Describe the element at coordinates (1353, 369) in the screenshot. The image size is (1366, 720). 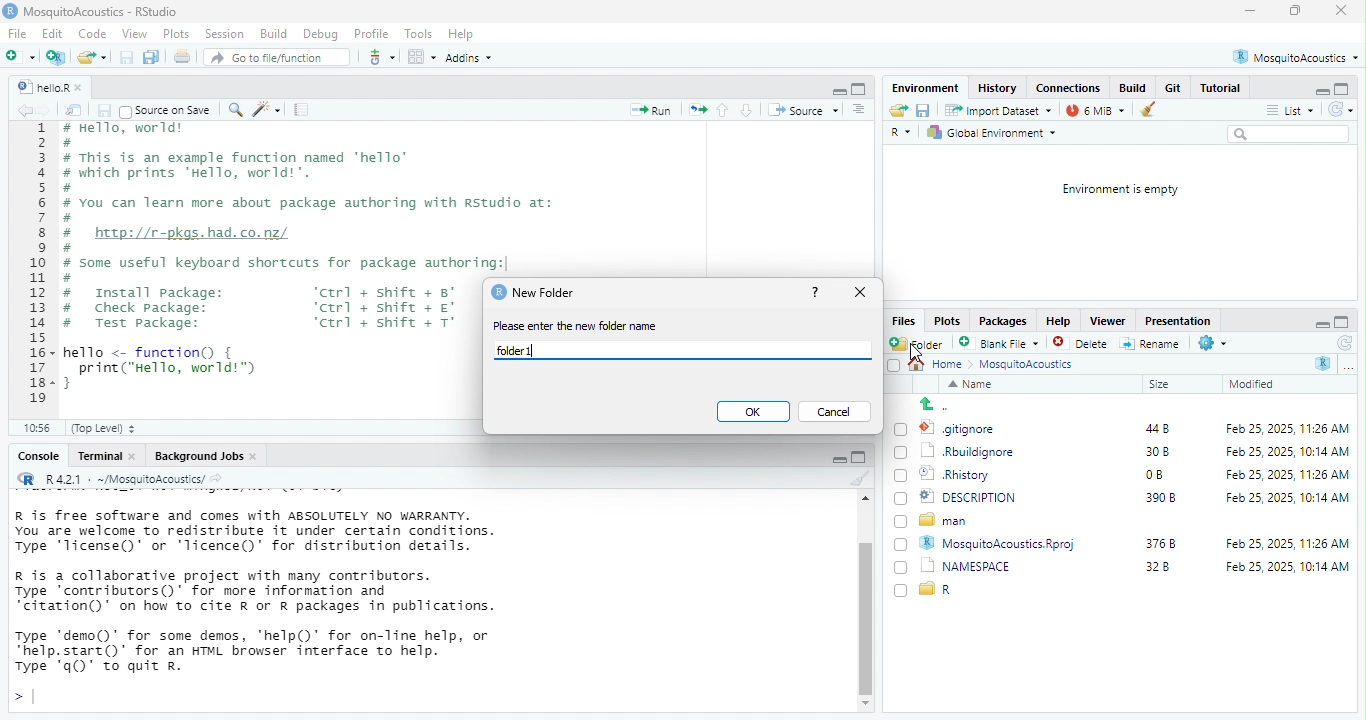
I see `option` at that location.